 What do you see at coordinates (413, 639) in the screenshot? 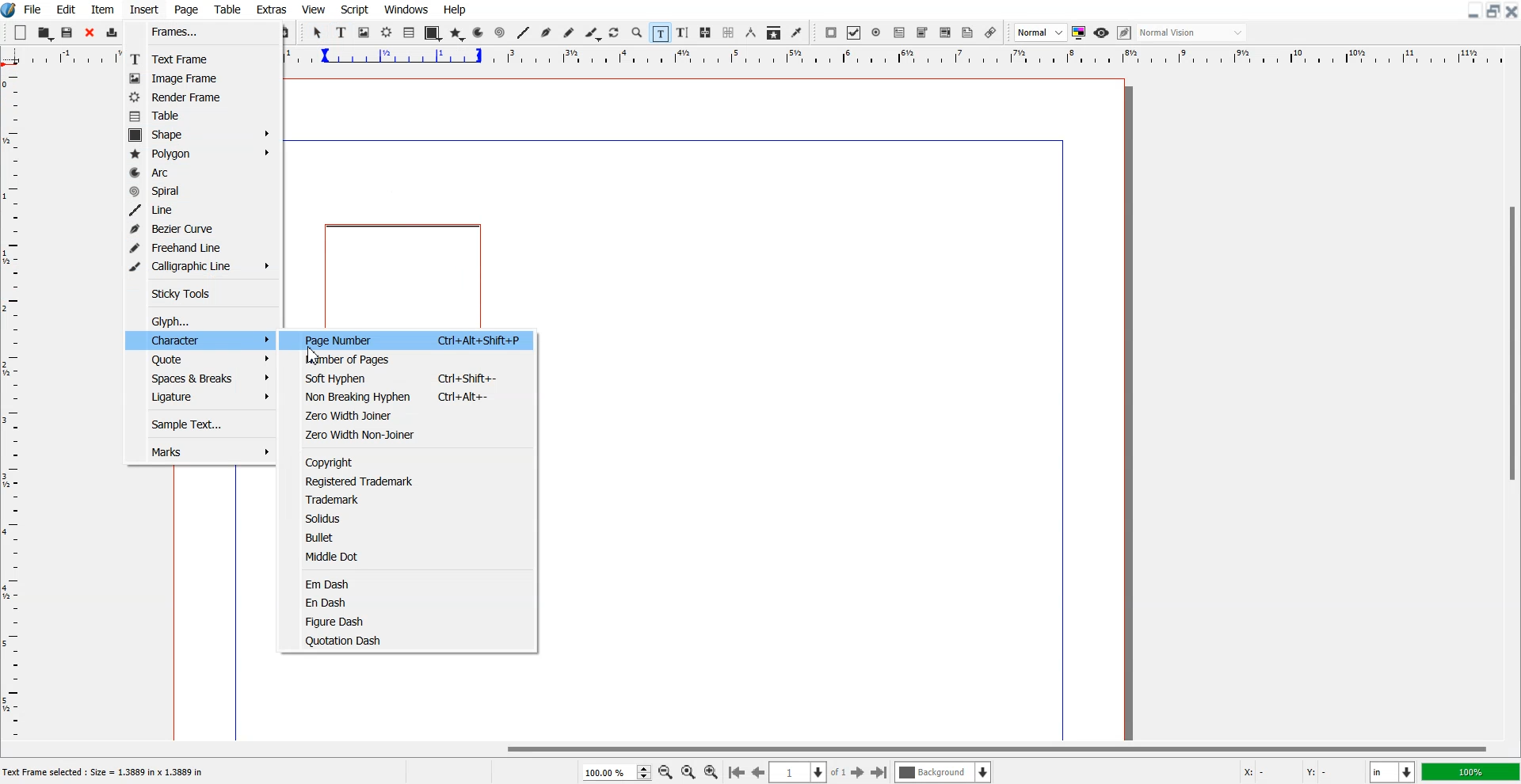
I see `Quotation Dash` at bounding box center [413, 639].